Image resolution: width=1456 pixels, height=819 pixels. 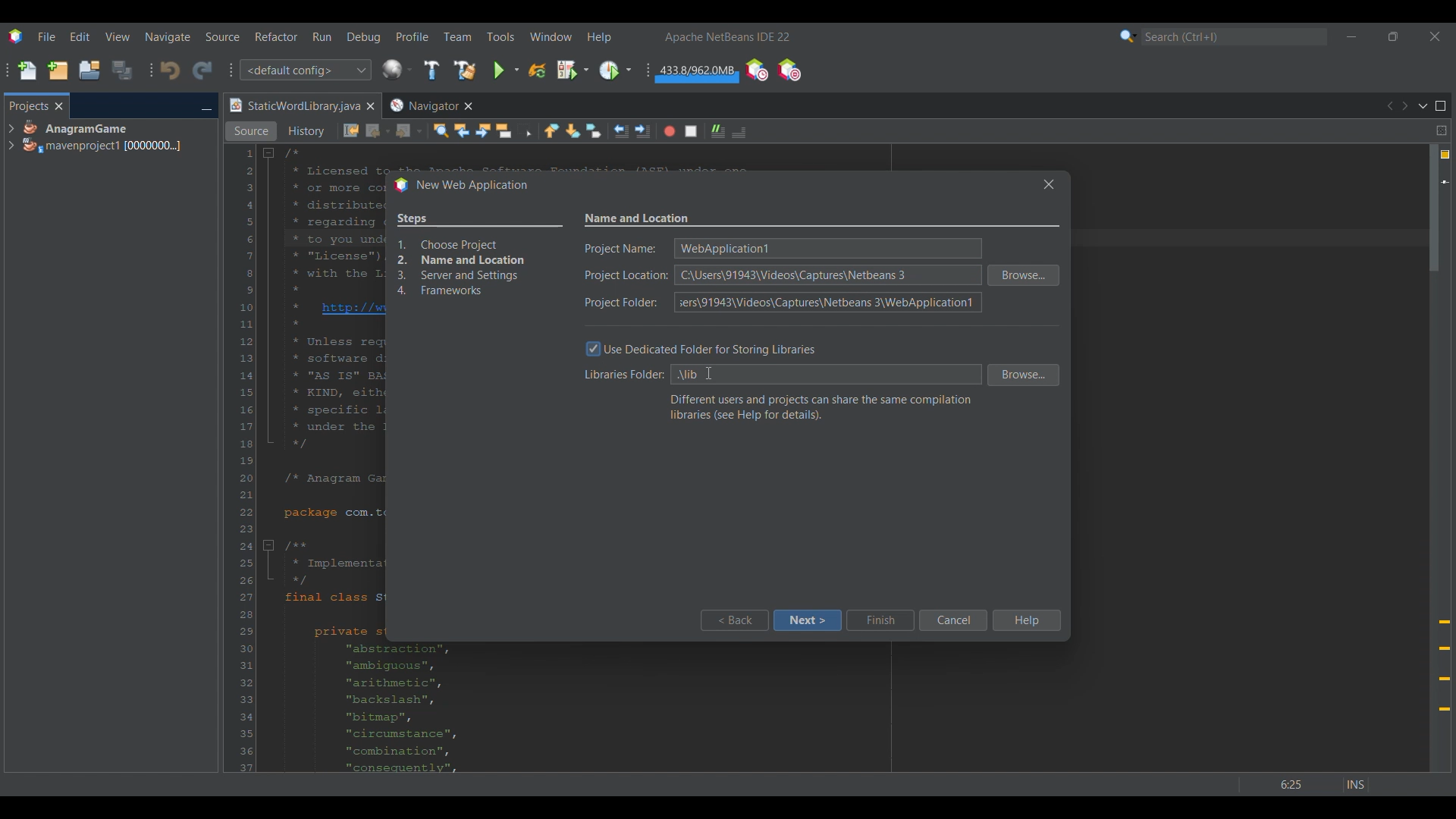 I want to click on Find previous occurrences, so click(x=462, y=130).